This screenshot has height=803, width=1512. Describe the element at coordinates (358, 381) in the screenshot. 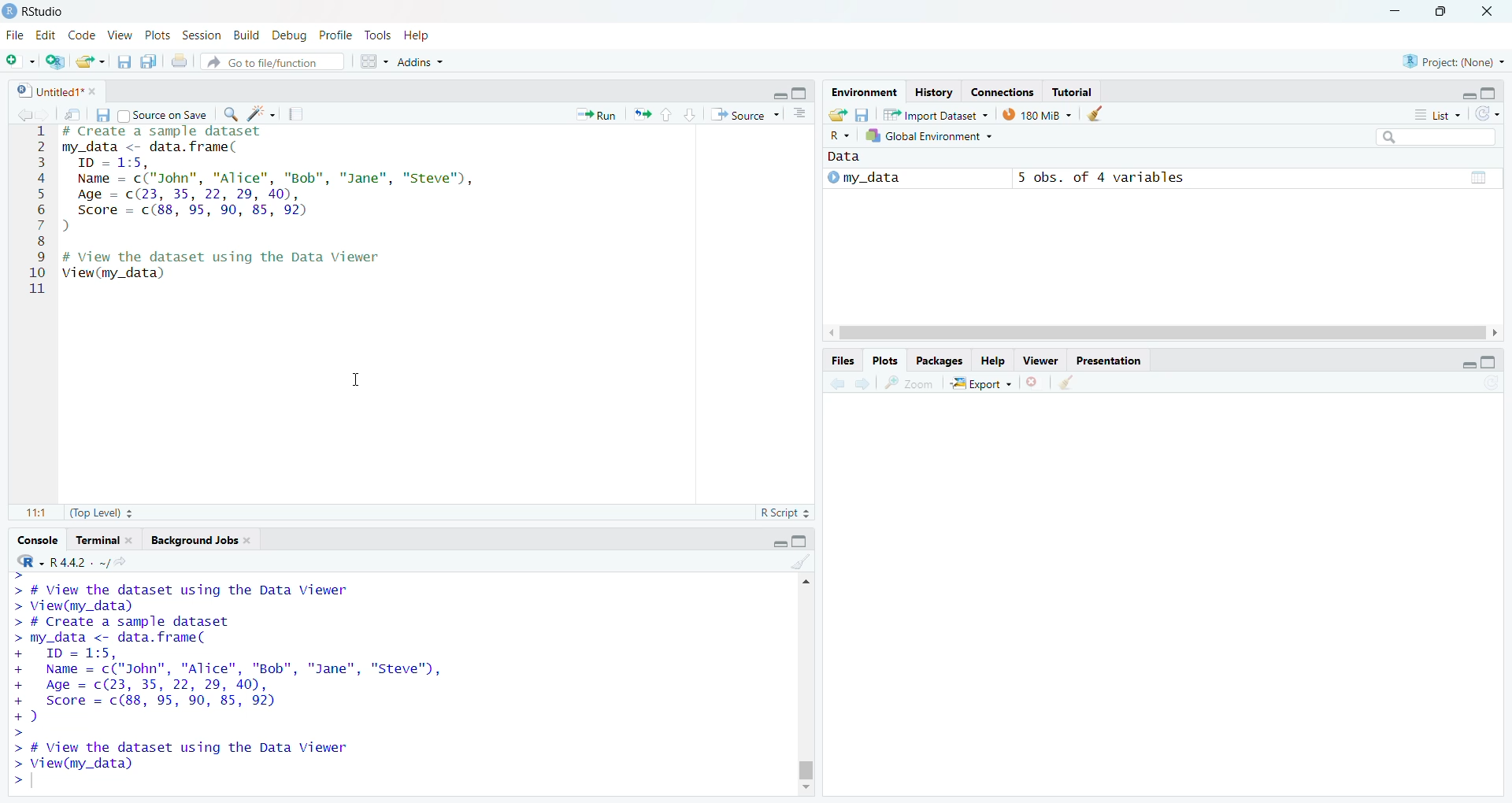

I see `Cursor` at that location.